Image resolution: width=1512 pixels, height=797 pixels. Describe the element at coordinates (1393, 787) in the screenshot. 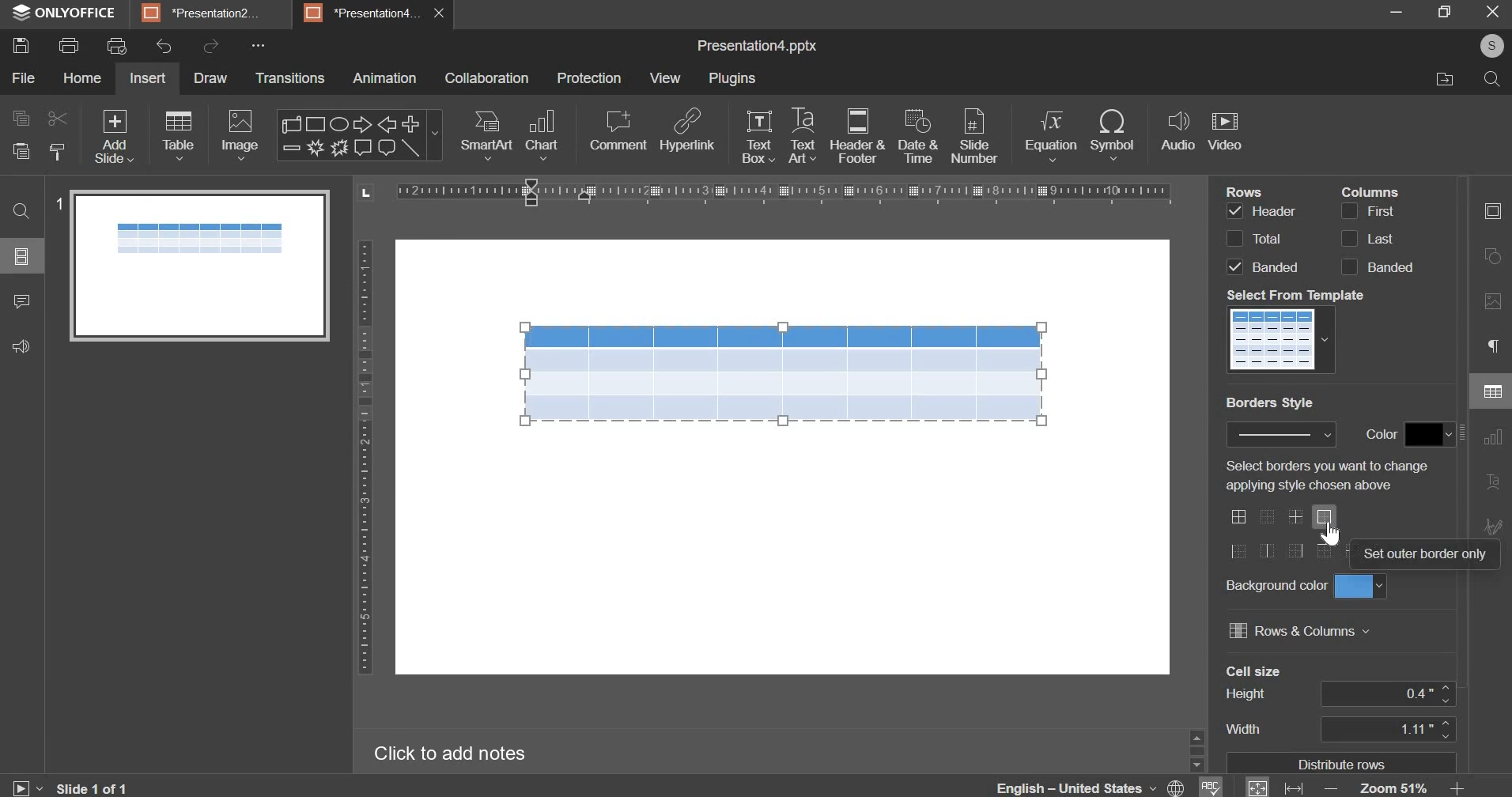

I see `zoom 51%` at that location.